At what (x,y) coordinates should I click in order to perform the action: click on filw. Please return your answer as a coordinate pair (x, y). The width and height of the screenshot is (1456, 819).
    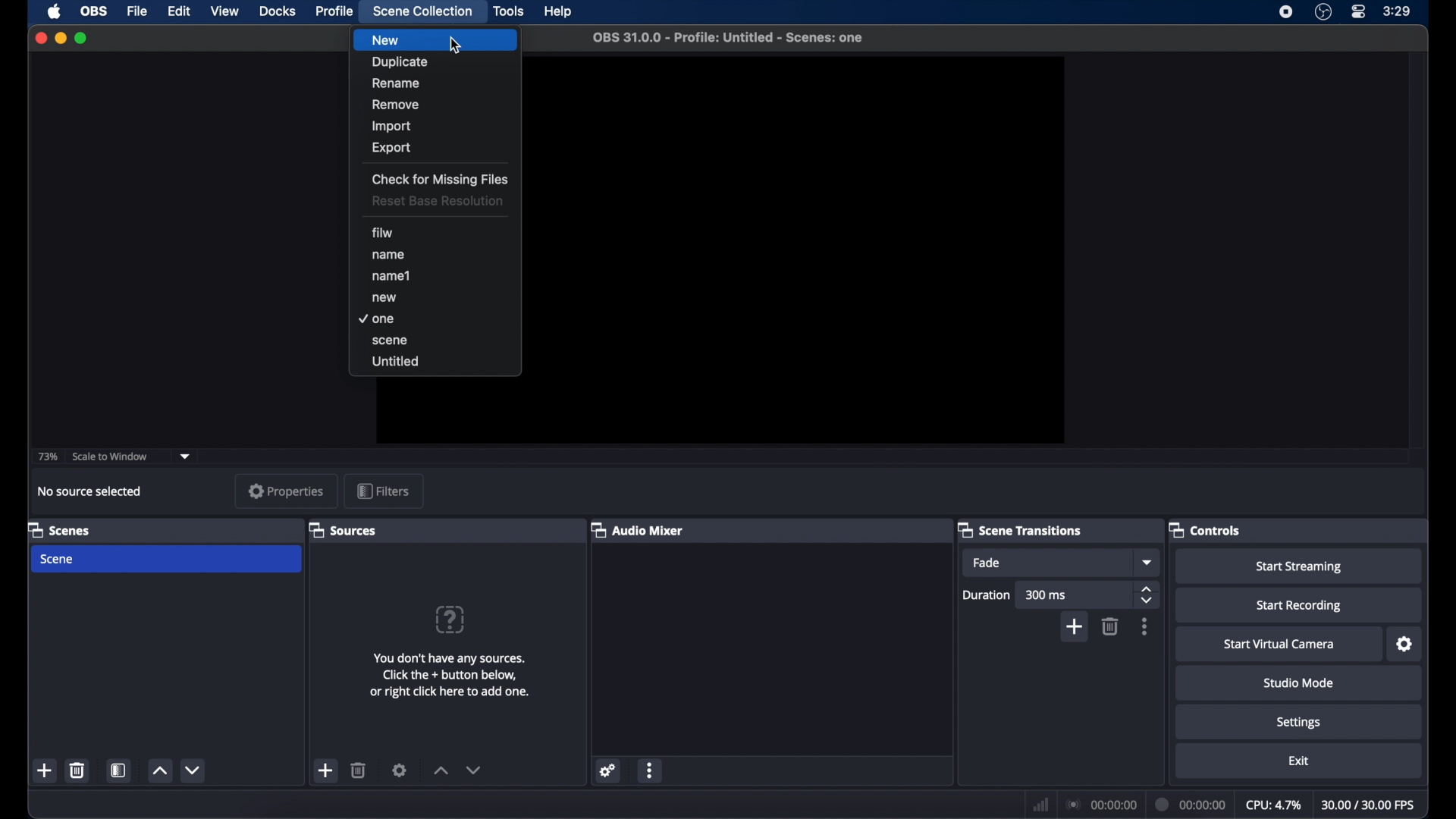
    Looking at the image, I should click on (390, 234).